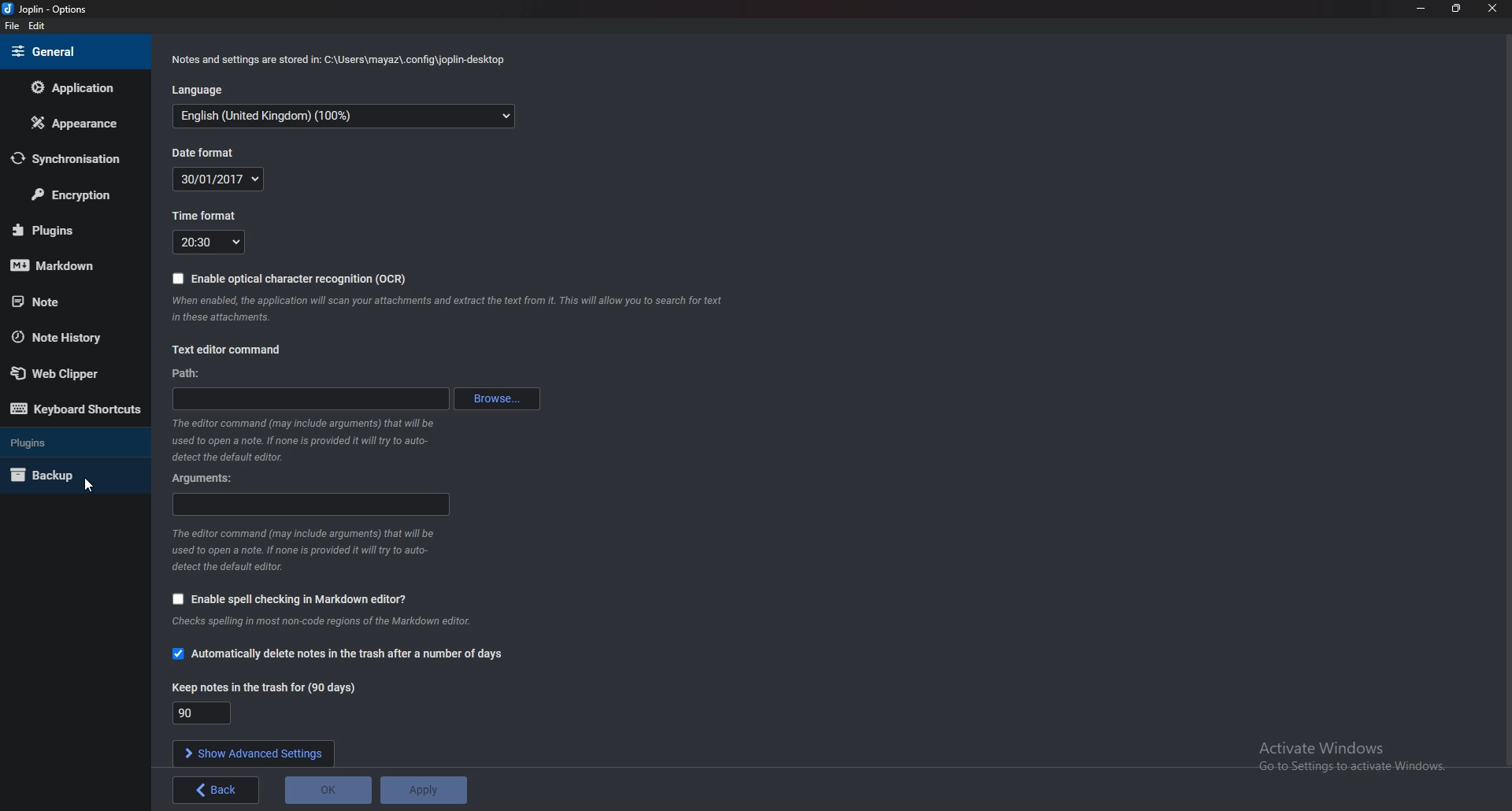 This screenshot has height=811, width=1512. Describe the element at coordinates (80, 89) in the screenshot. I see `Application` at that location.